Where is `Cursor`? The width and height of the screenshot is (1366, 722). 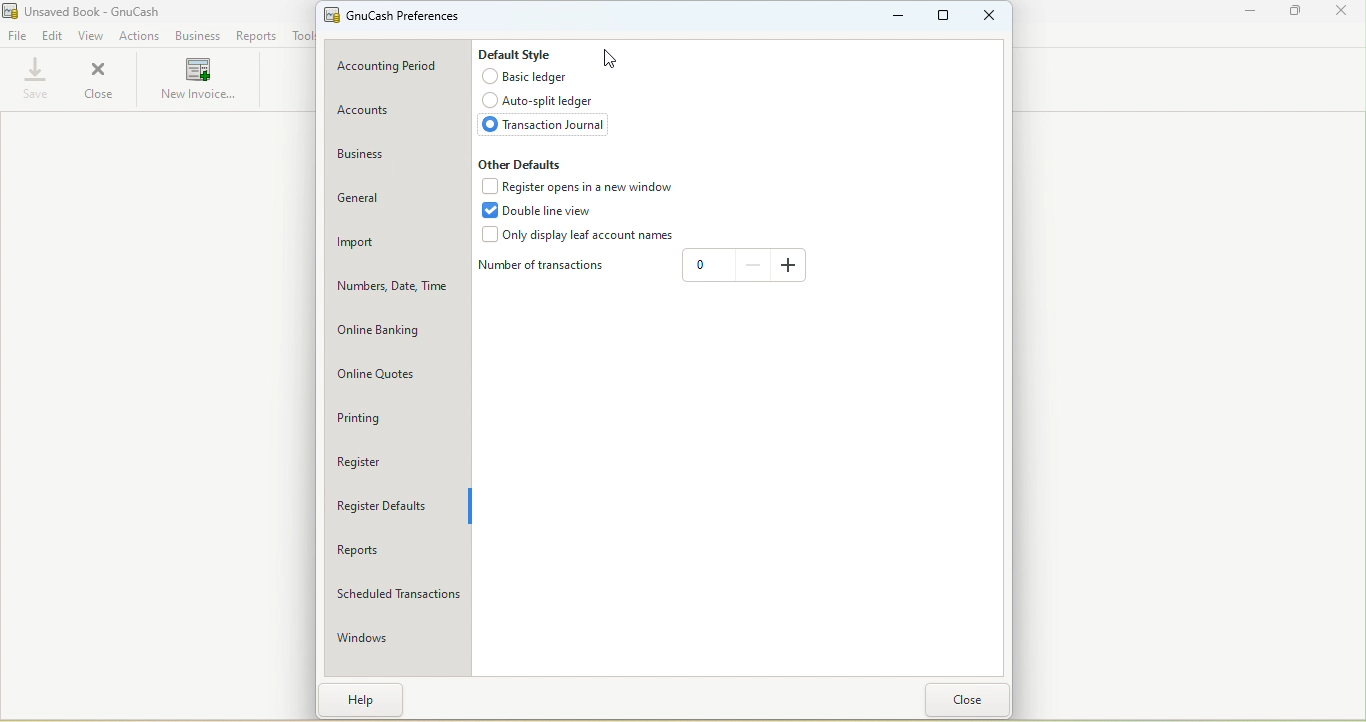 Cursor is located at coordinates (612, 61).